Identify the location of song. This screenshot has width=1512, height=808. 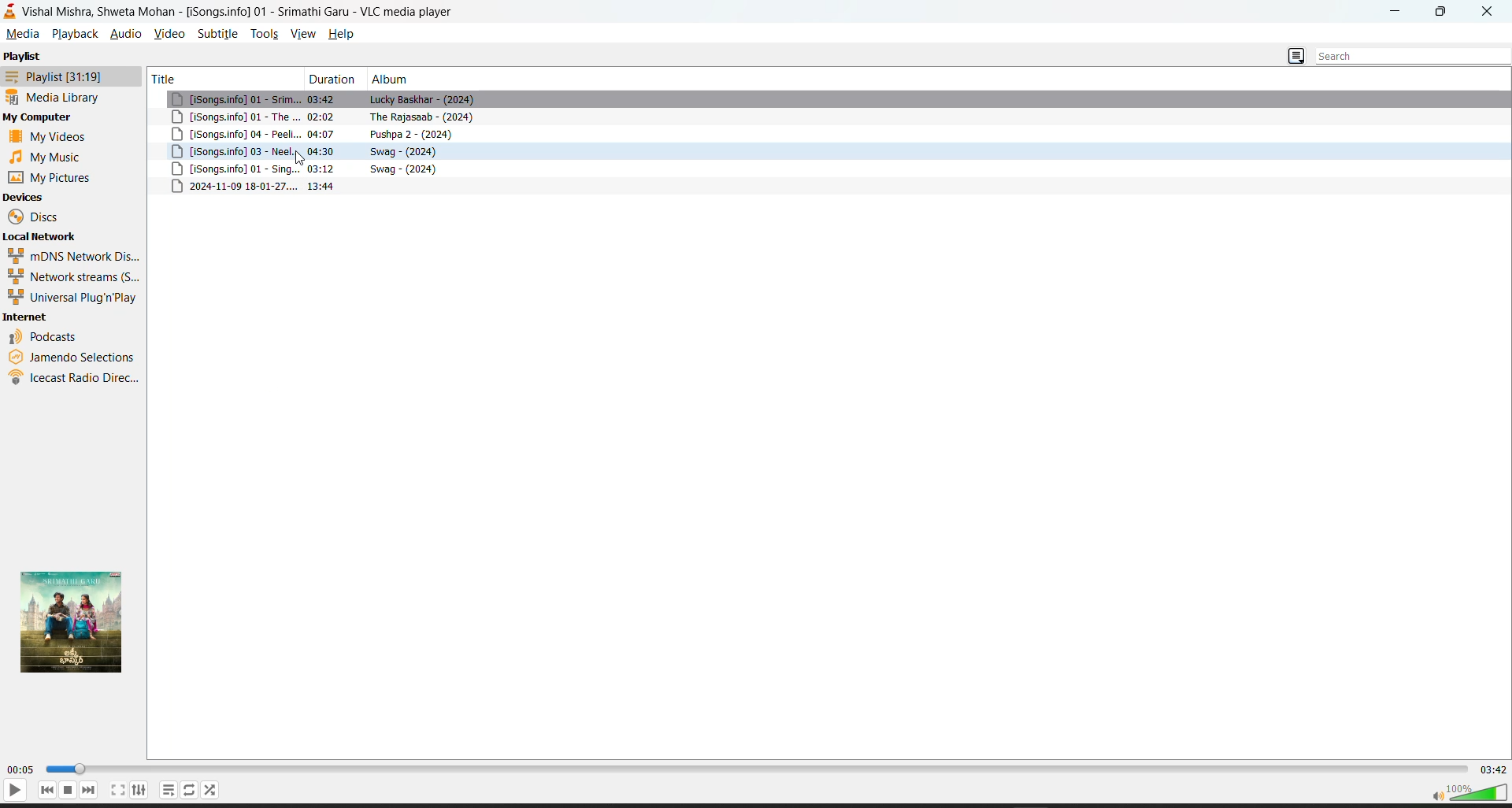
(830, 169).